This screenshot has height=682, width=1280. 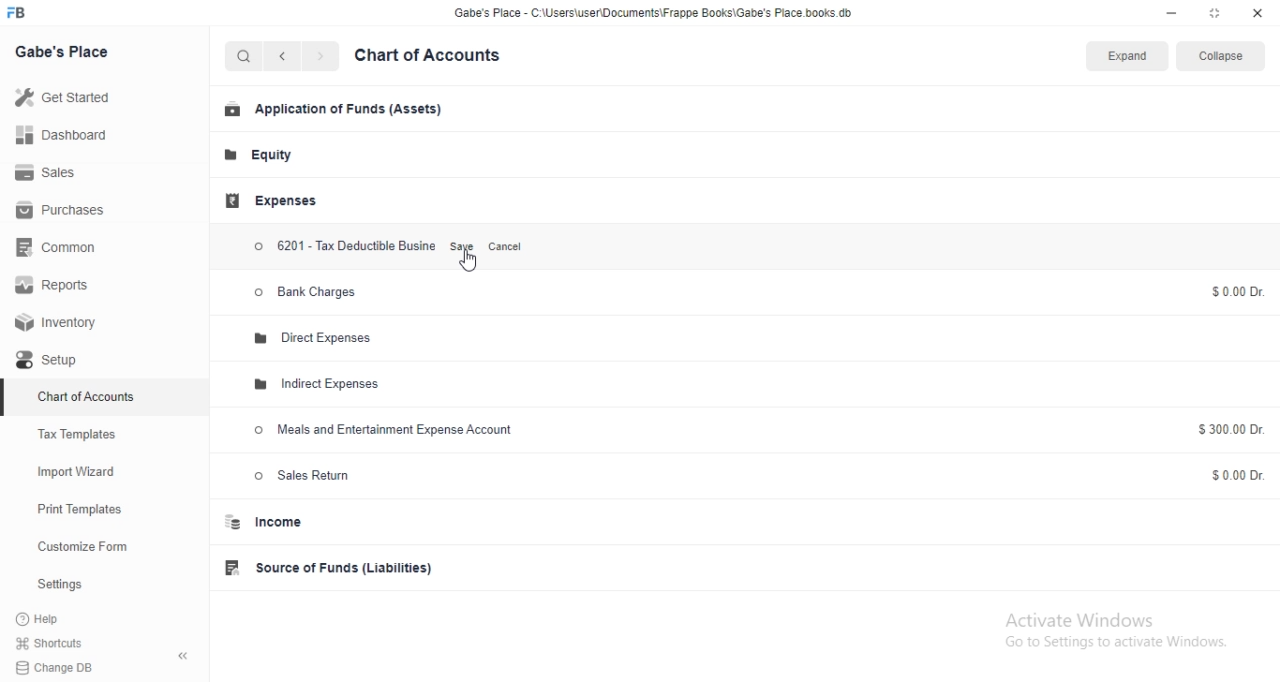 I want to click on Income, so click(x=279, y=524).